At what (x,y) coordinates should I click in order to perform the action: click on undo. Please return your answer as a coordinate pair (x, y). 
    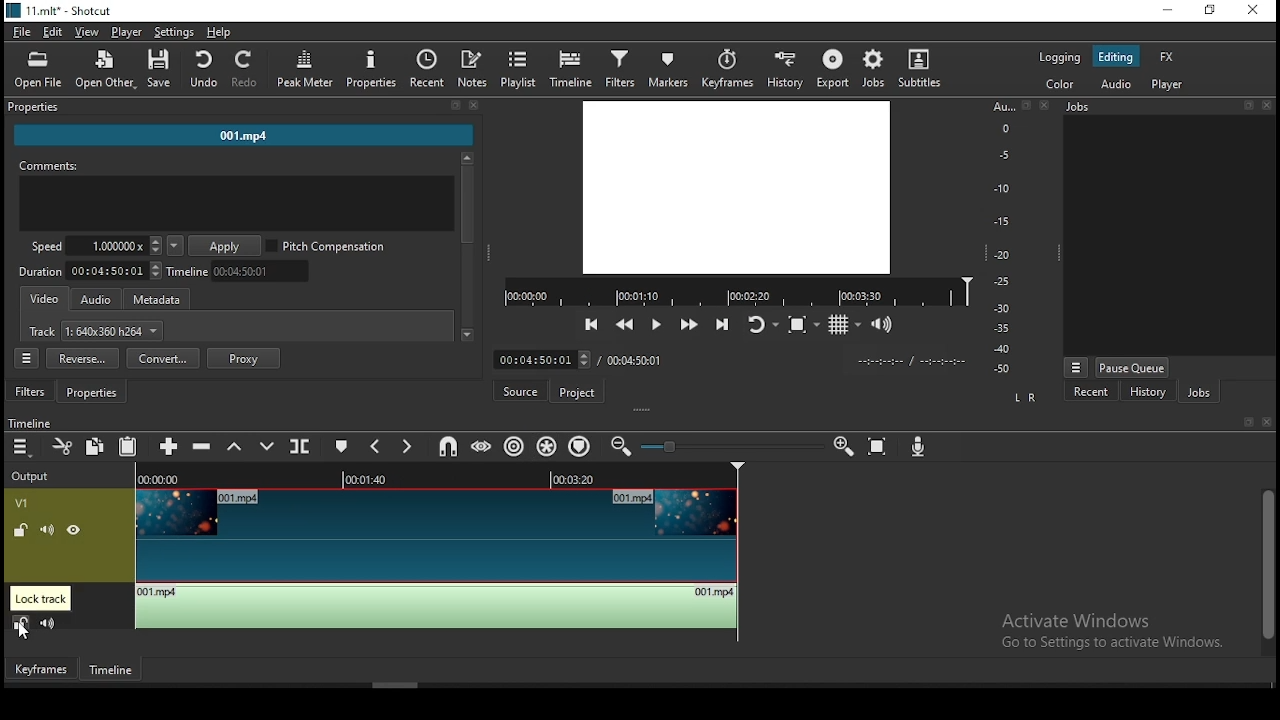
    Looking at the image, I should click on (205, 70).